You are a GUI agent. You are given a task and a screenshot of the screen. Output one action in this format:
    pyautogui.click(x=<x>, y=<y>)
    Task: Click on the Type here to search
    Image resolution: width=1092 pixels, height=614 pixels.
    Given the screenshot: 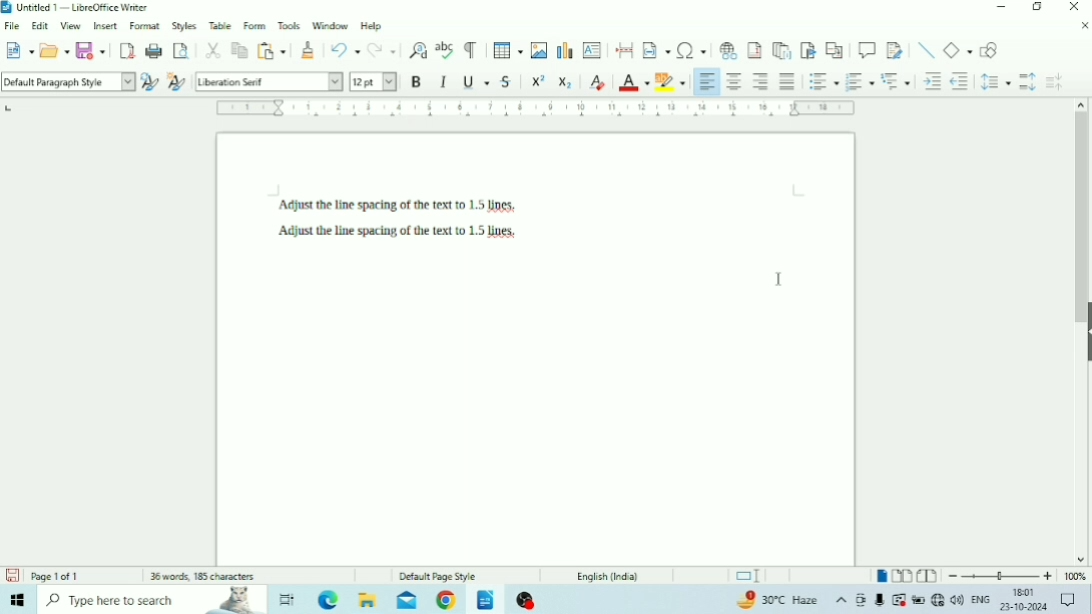 What is the action you would take?
    pyautogui.click(x=152, y=600)
    